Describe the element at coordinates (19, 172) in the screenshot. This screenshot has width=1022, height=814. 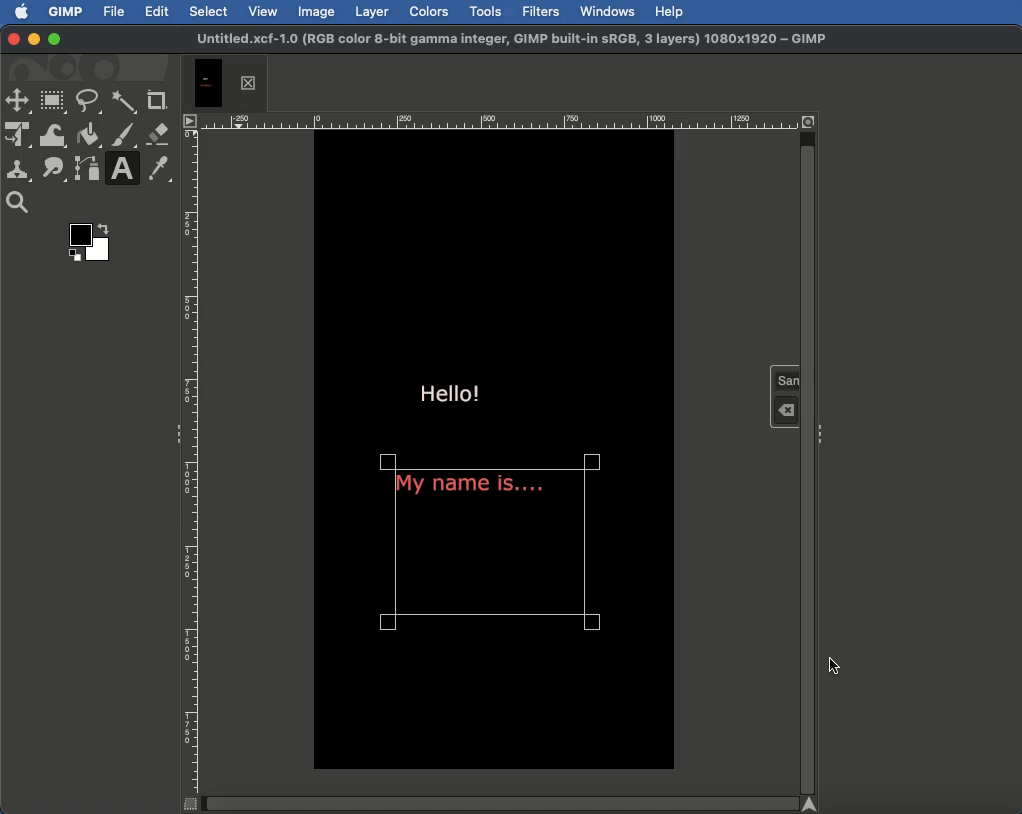
I see `Clone tool` at that location.